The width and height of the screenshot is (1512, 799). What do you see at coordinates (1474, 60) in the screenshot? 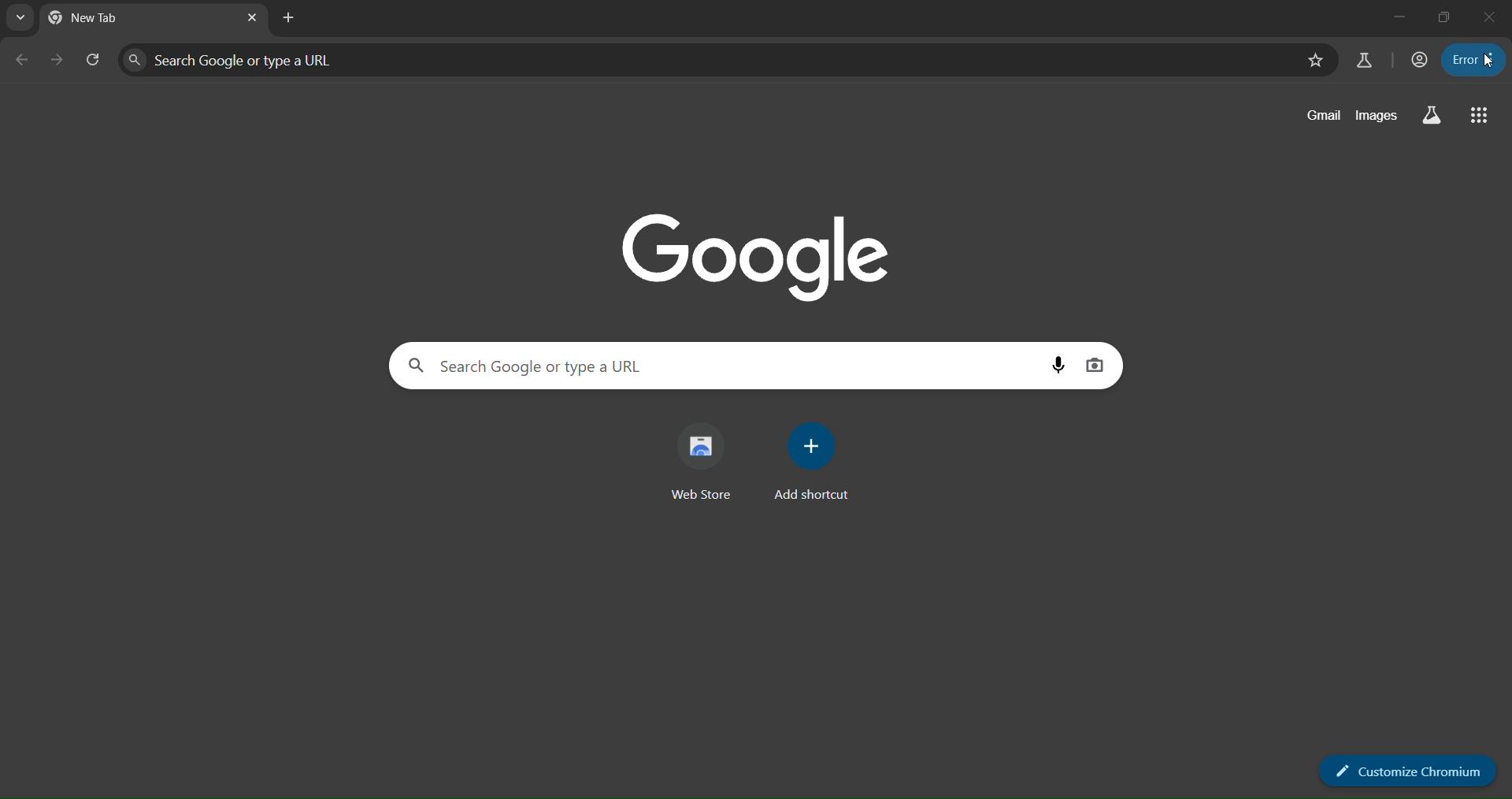
I see `menu` at bounding box center [1474, 60].